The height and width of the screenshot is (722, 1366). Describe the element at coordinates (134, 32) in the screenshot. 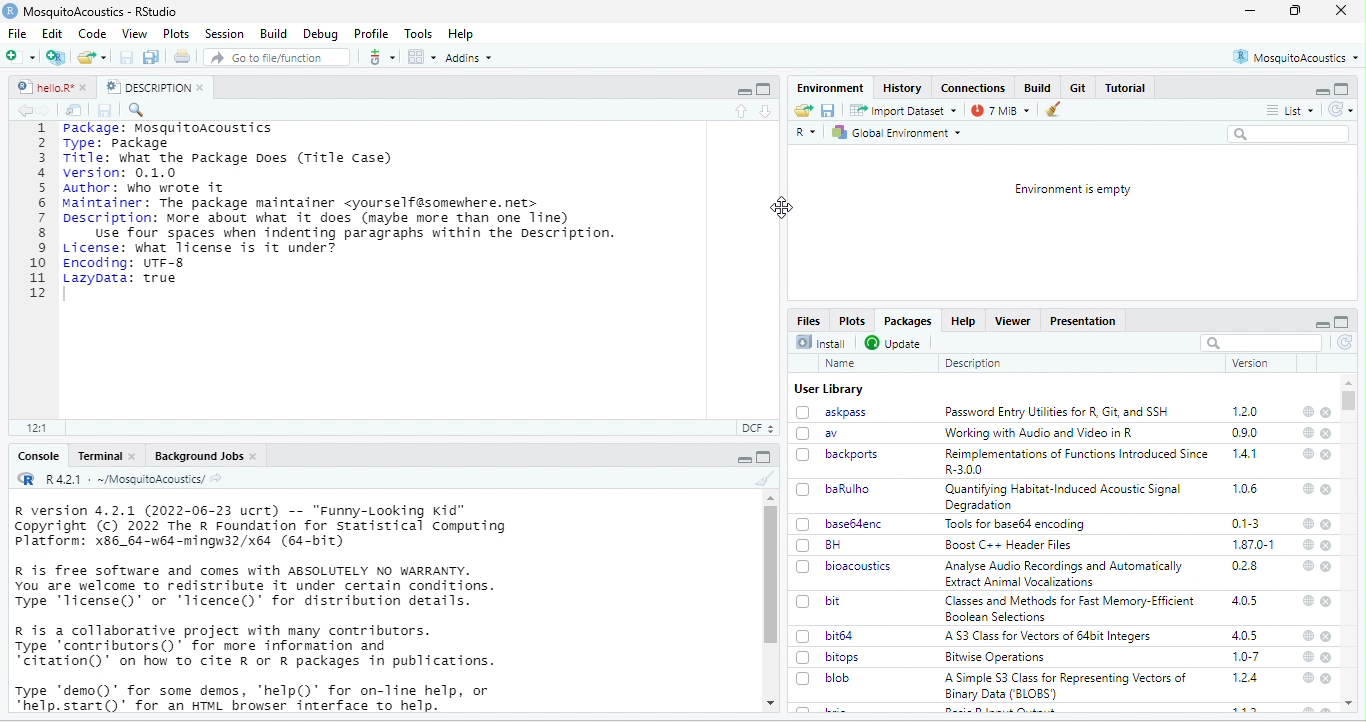

I see `View` at that location.